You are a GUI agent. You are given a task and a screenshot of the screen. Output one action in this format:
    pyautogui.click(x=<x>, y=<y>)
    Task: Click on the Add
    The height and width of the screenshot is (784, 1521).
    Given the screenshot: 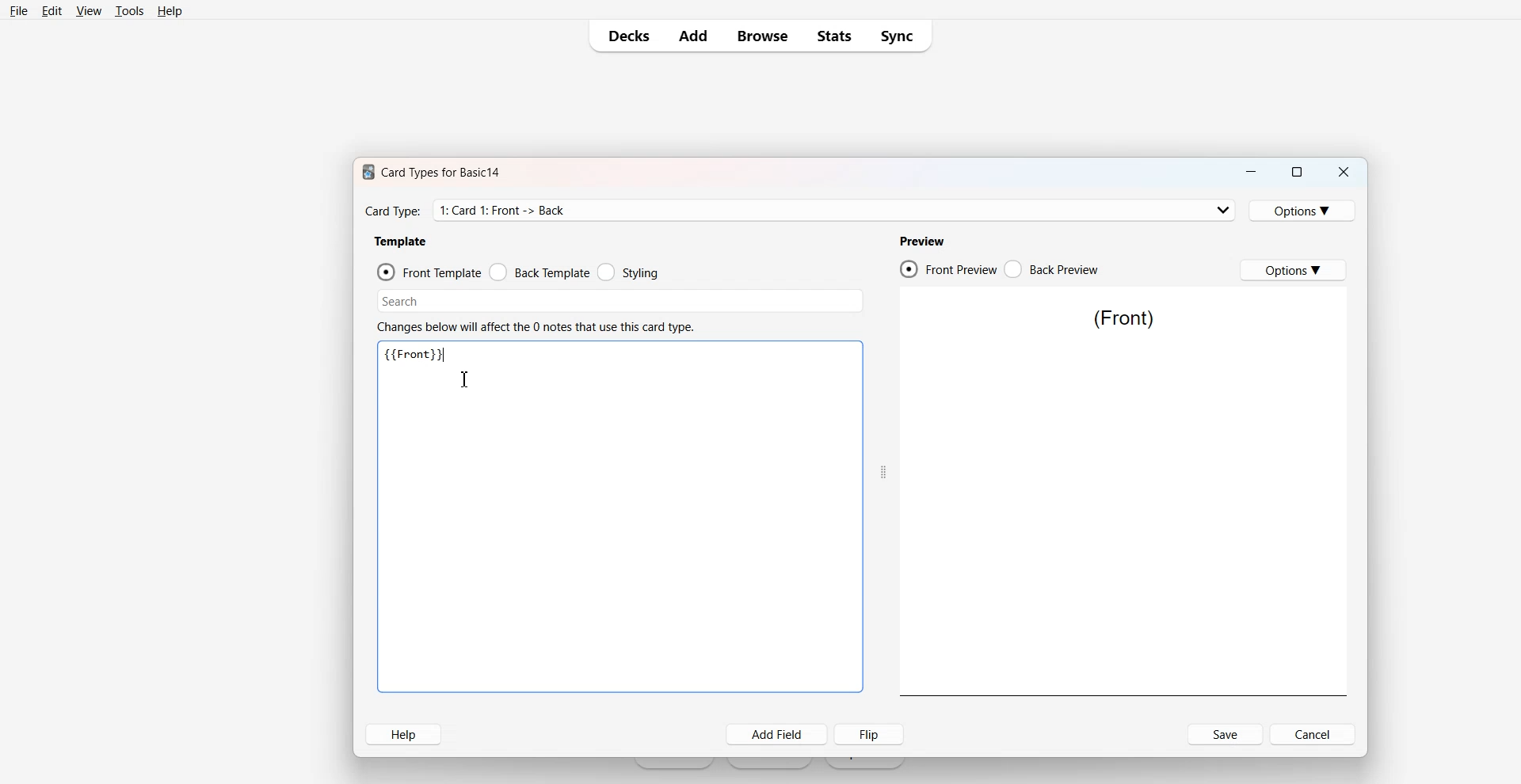 What is the action you would take?
    pyautogui.click(x=695, y=36)
    